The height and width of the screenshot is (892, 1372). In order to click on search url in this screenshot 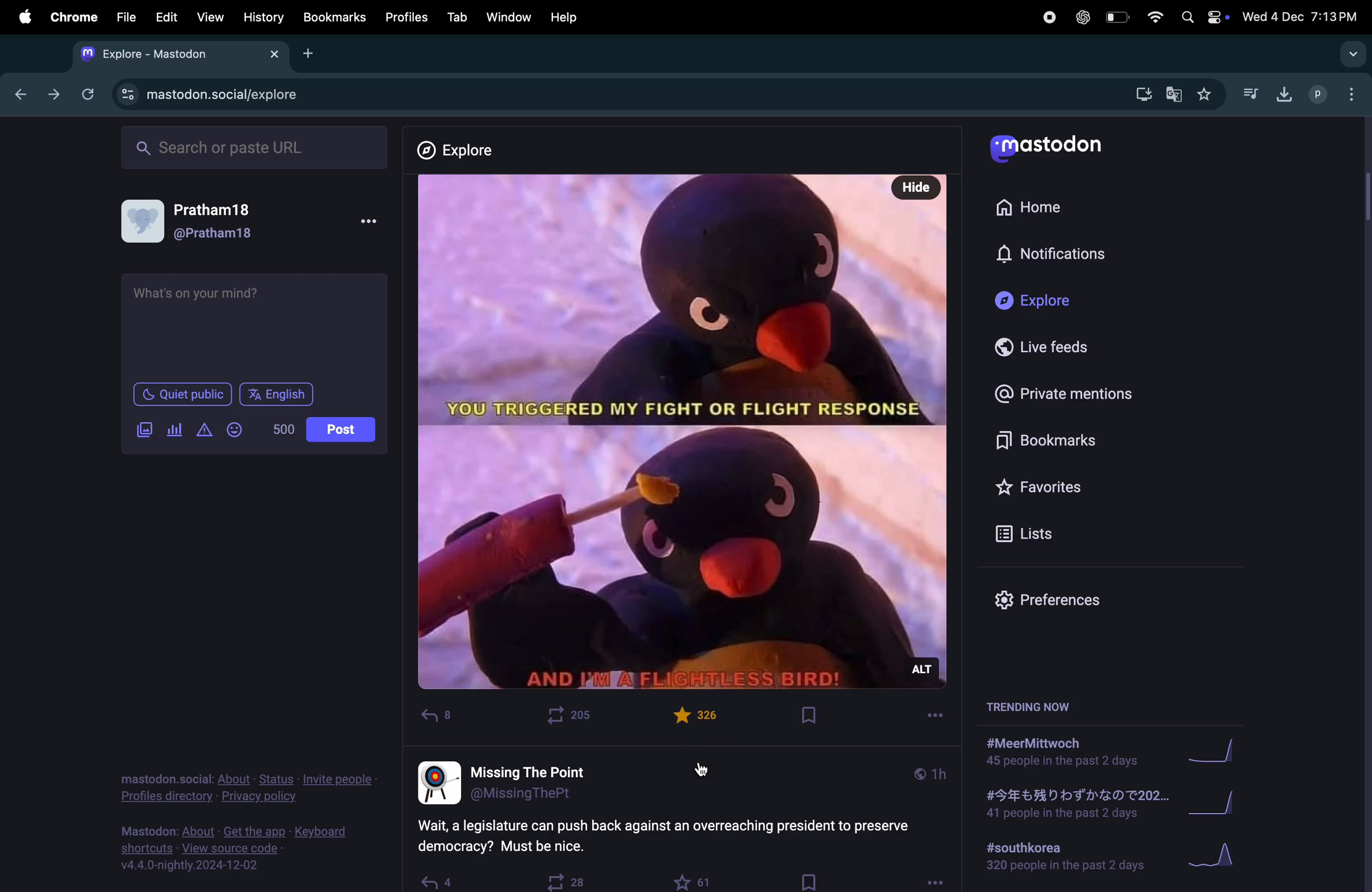, I will do `click(250, 146)`.